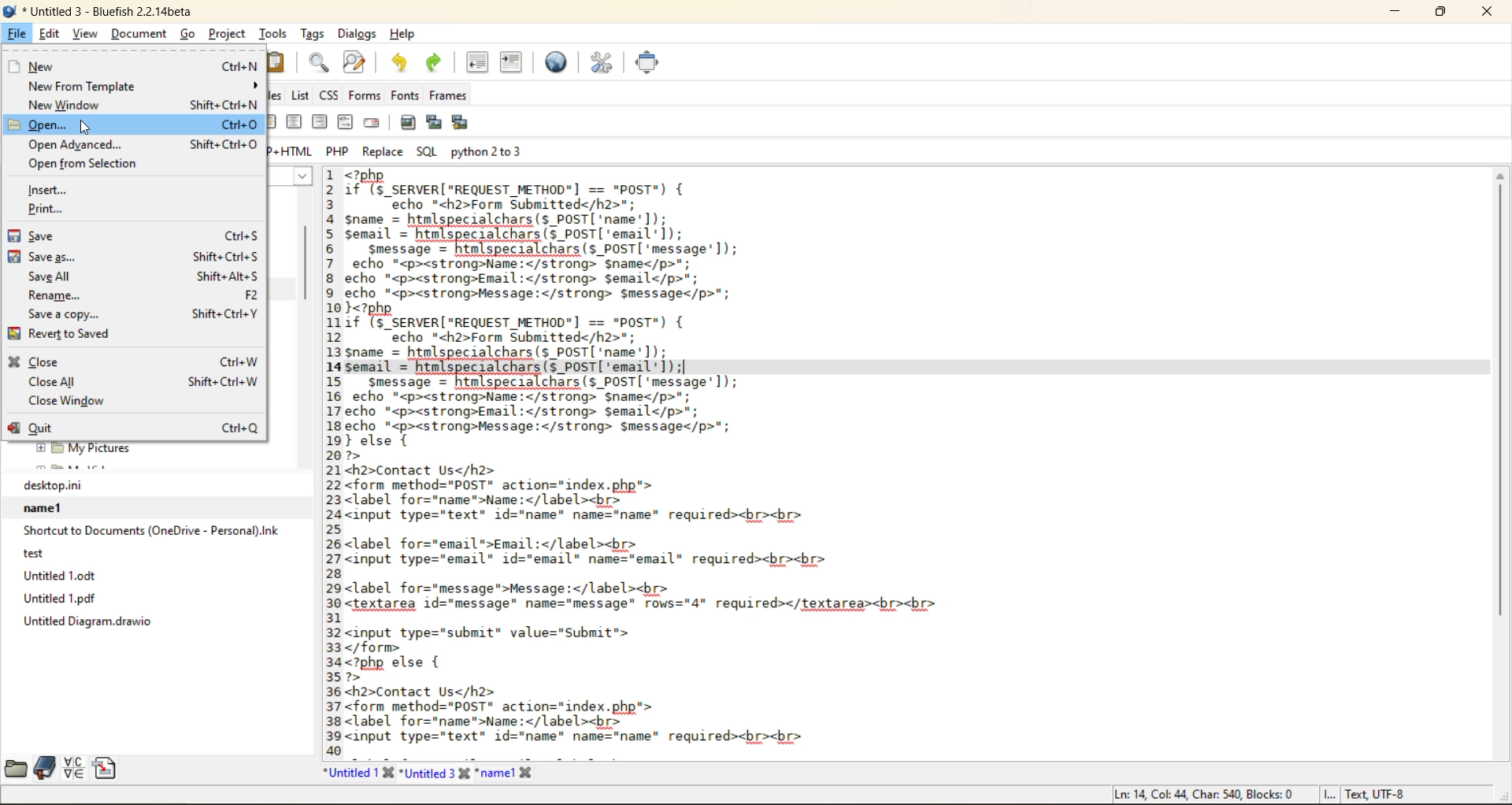 This screenshot has width=1512, height=805. Describe the element at coordinates (312, 35) in the screenshot. I see `tags` at that location.